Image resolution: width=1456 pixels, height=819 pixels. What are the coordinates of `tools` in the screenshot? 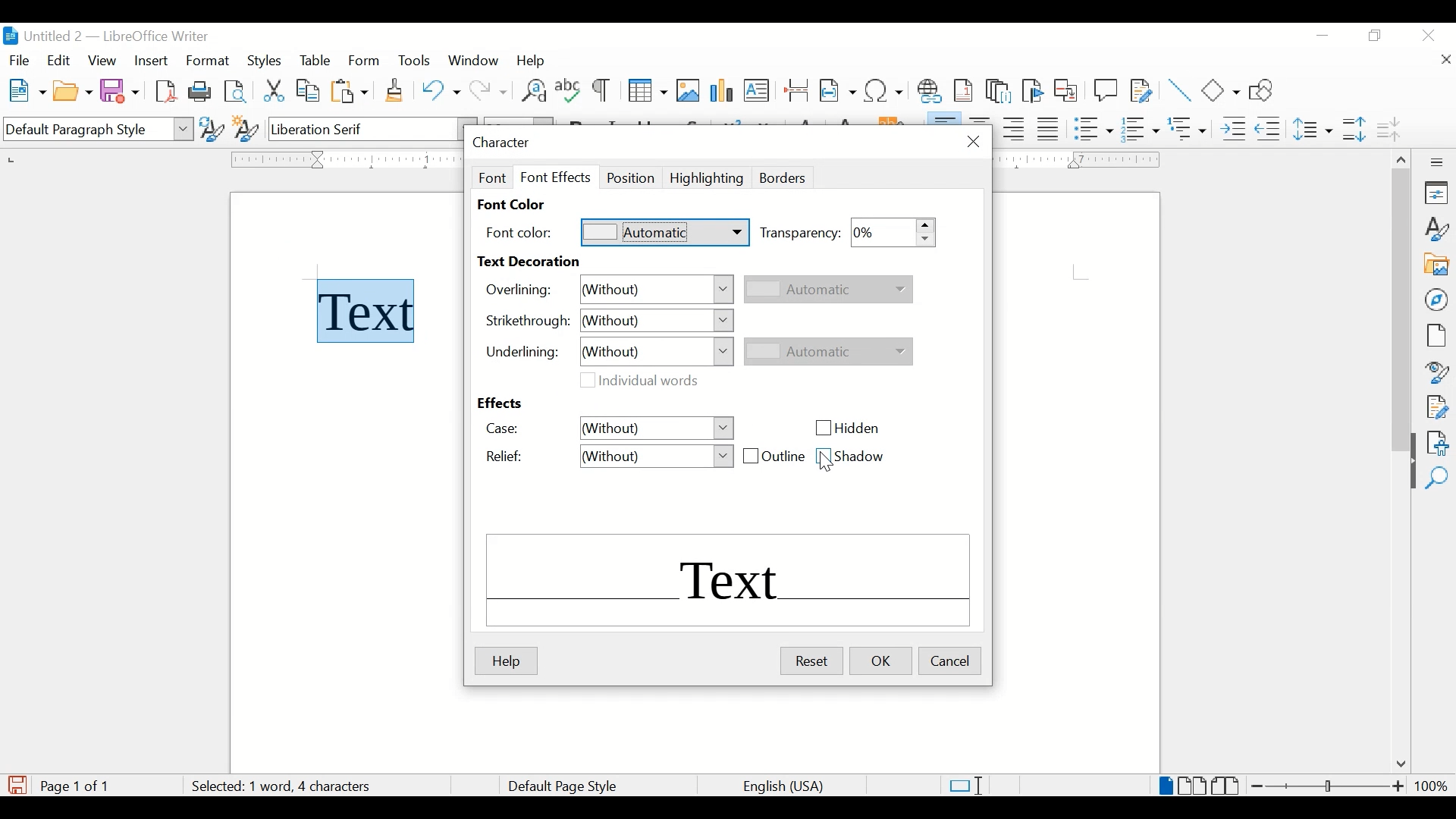 It's located at (414, 60).